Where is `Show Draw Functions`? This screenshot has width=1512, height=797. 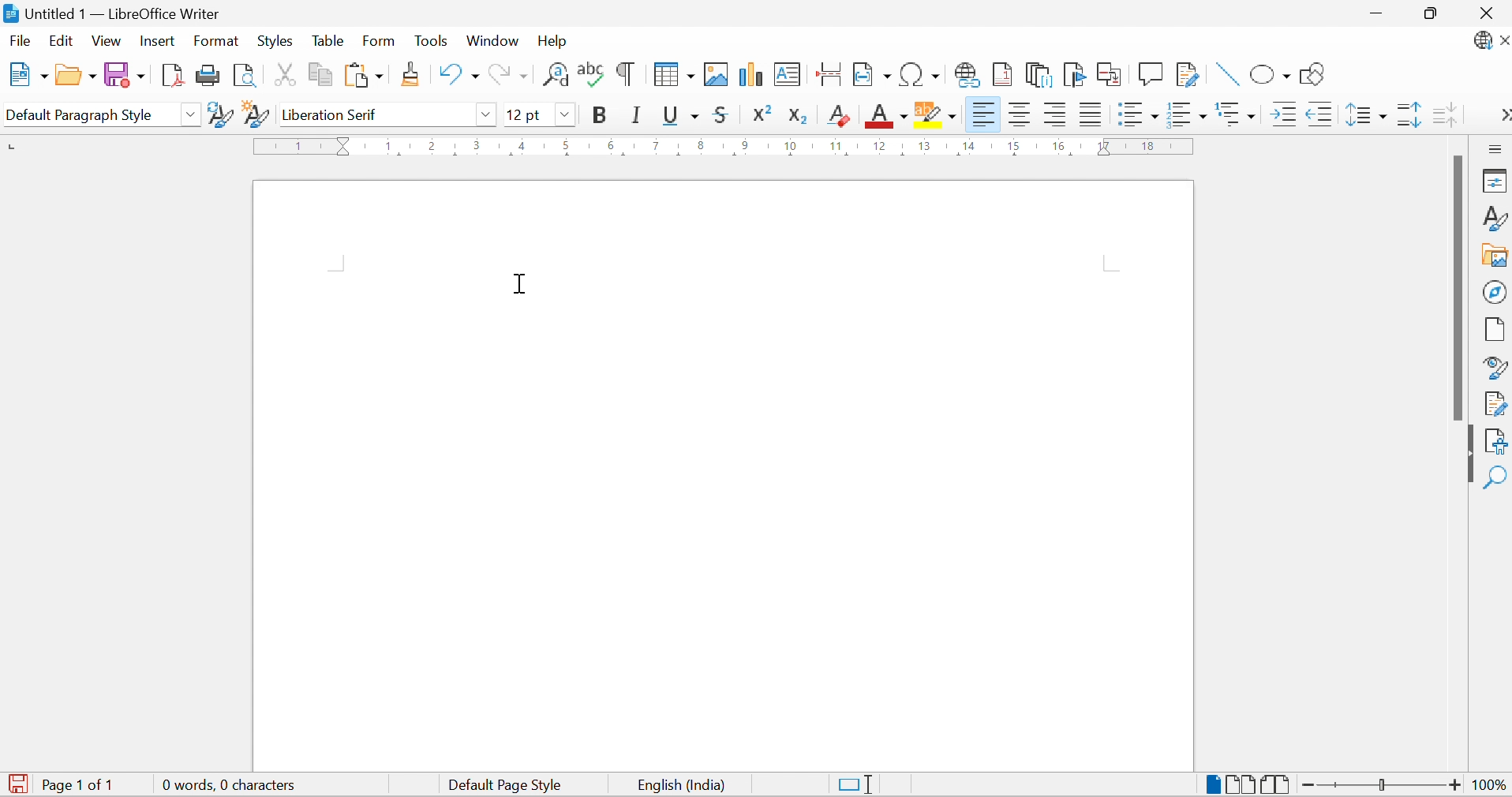
Show Draw Functions is located at coordinates (1313, 75).